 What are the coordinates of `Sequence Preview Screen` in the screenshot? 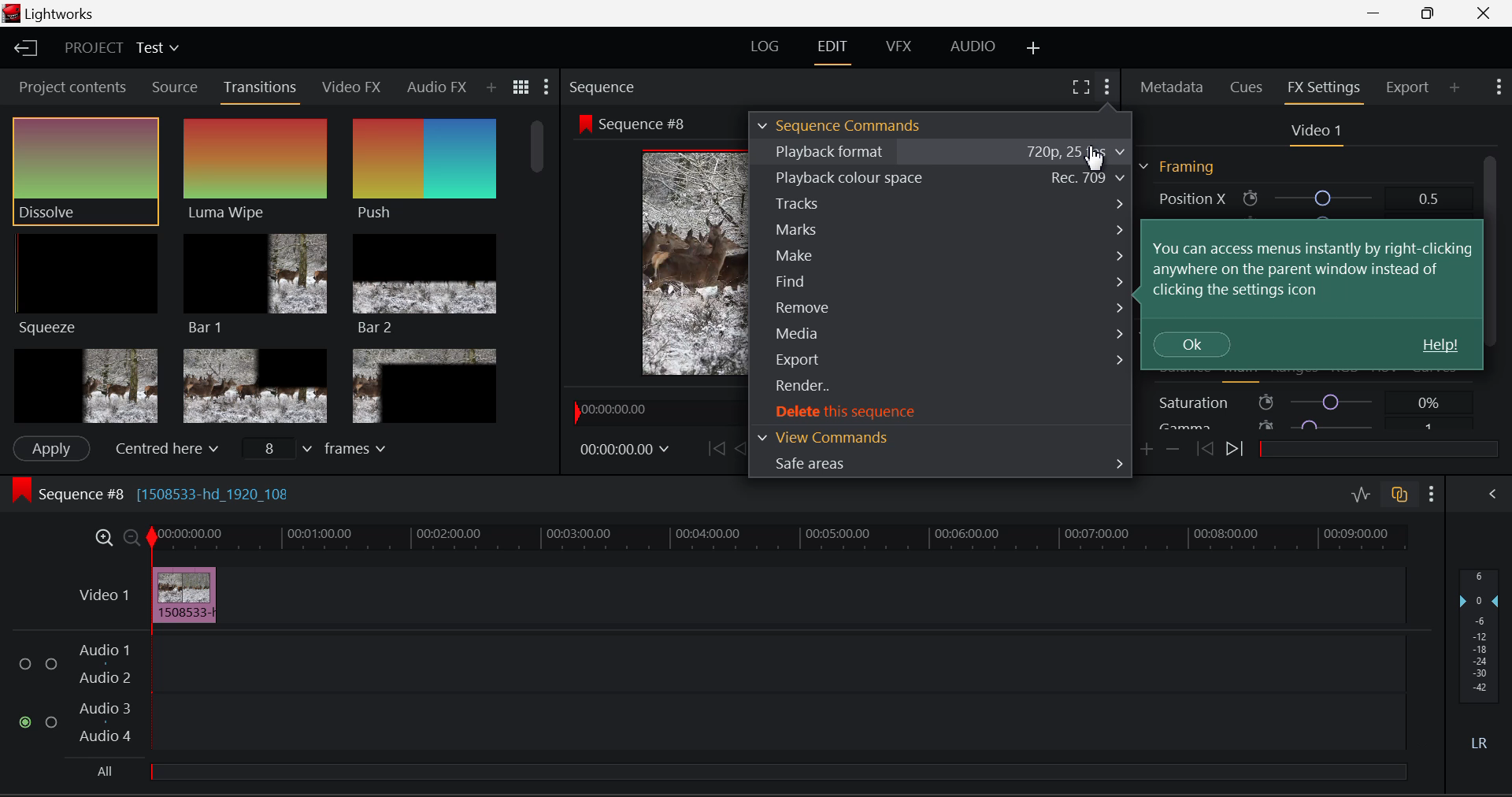 It's located at (657, 263).